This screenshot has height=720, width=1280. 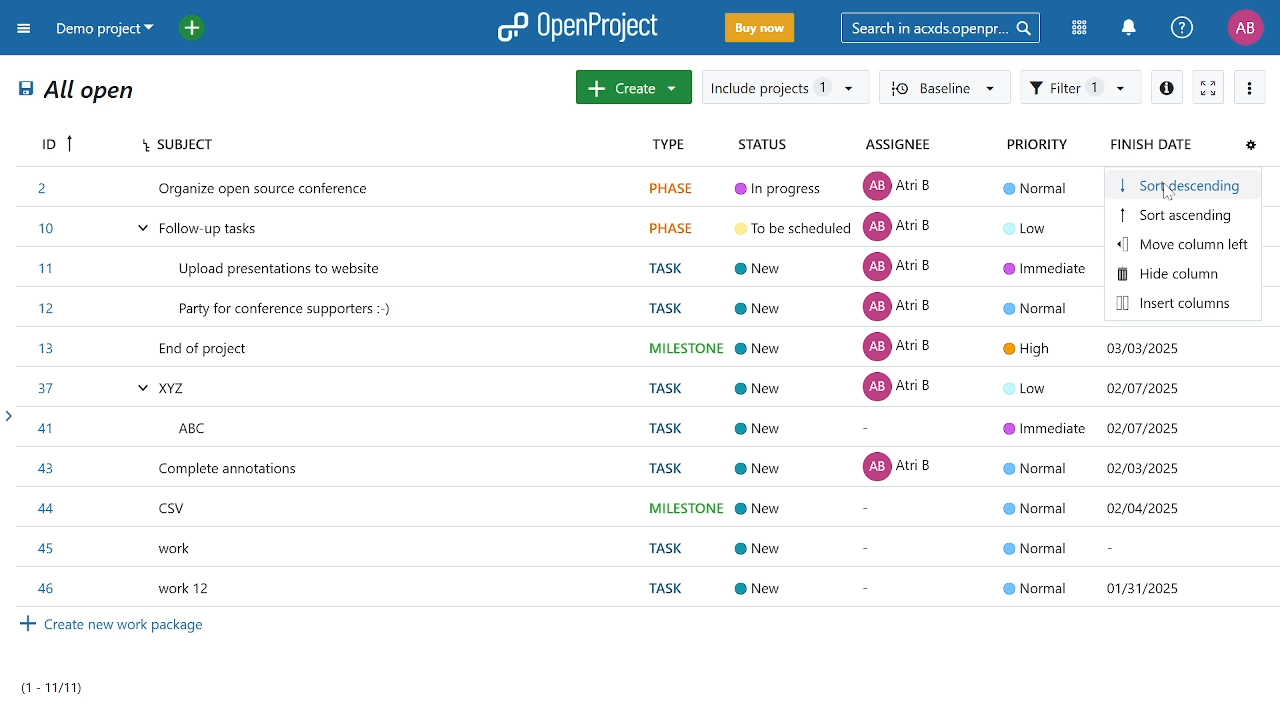 I want to click on finish date, so click(x=1163, y=145).